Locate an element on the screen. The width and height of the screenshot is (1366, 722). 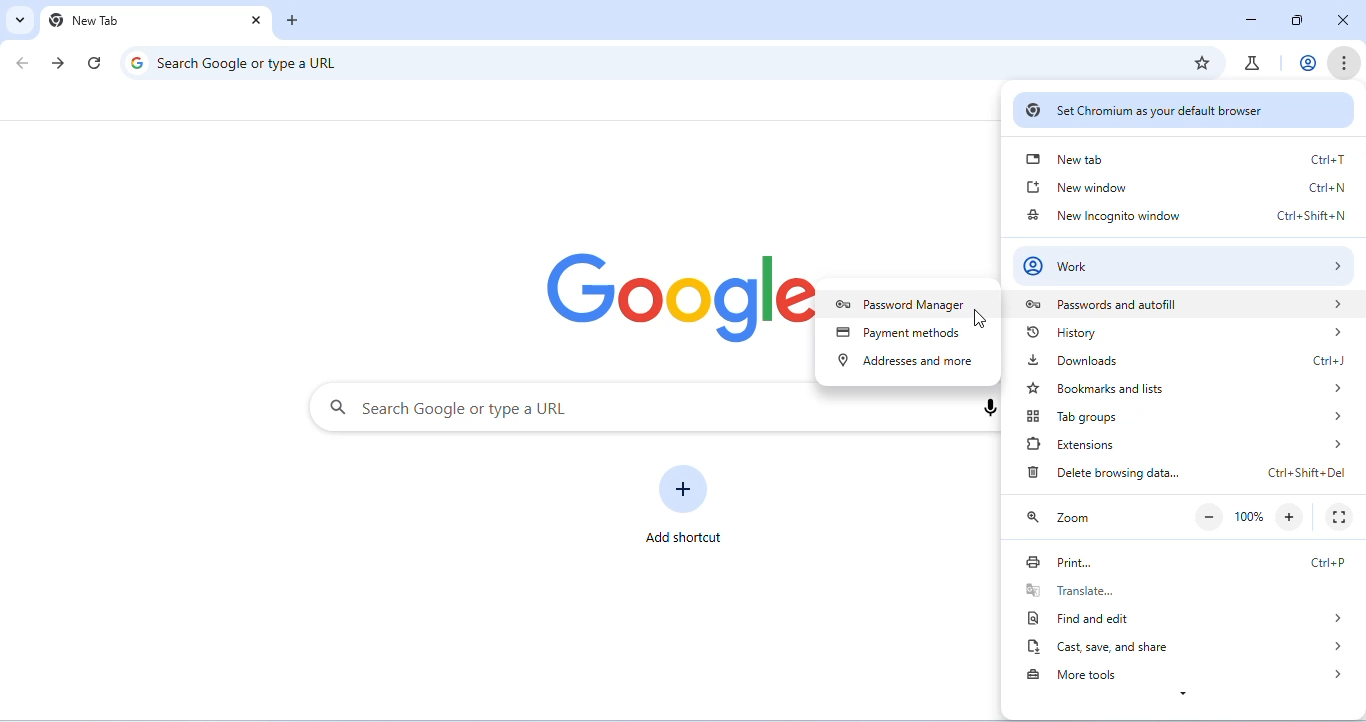
google is located at coordinates (676, 300).